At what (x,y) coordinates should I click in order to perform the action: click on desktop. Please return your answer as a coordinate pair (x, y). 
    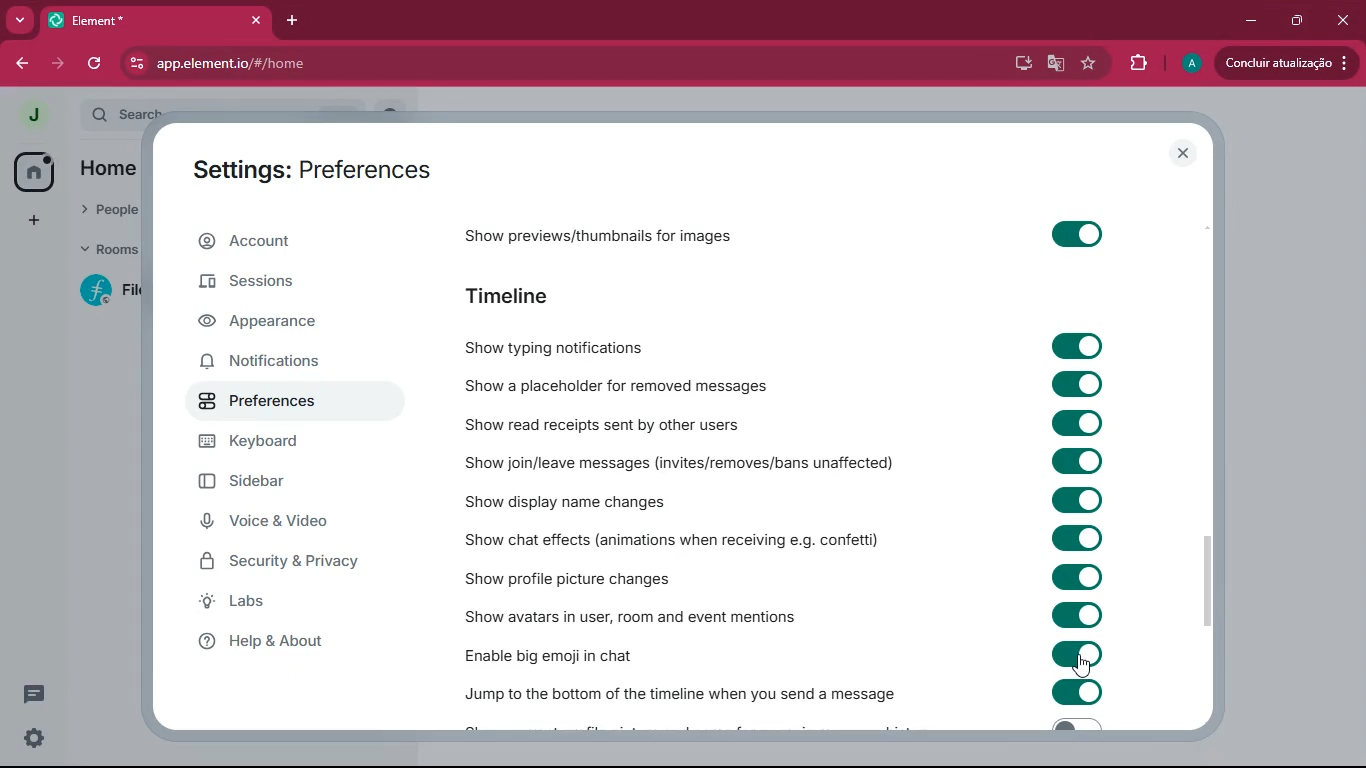
    Looking at the image, I should click on (1021, 63).